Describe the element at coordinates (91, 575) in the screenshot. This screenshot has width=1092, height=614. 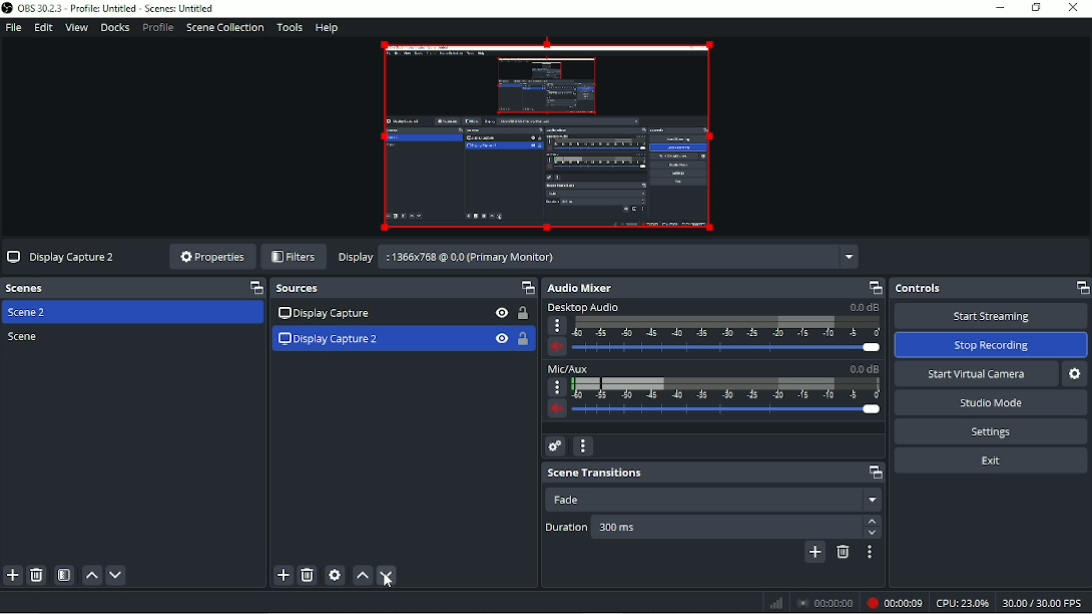
I see `Move scene up` at that location.